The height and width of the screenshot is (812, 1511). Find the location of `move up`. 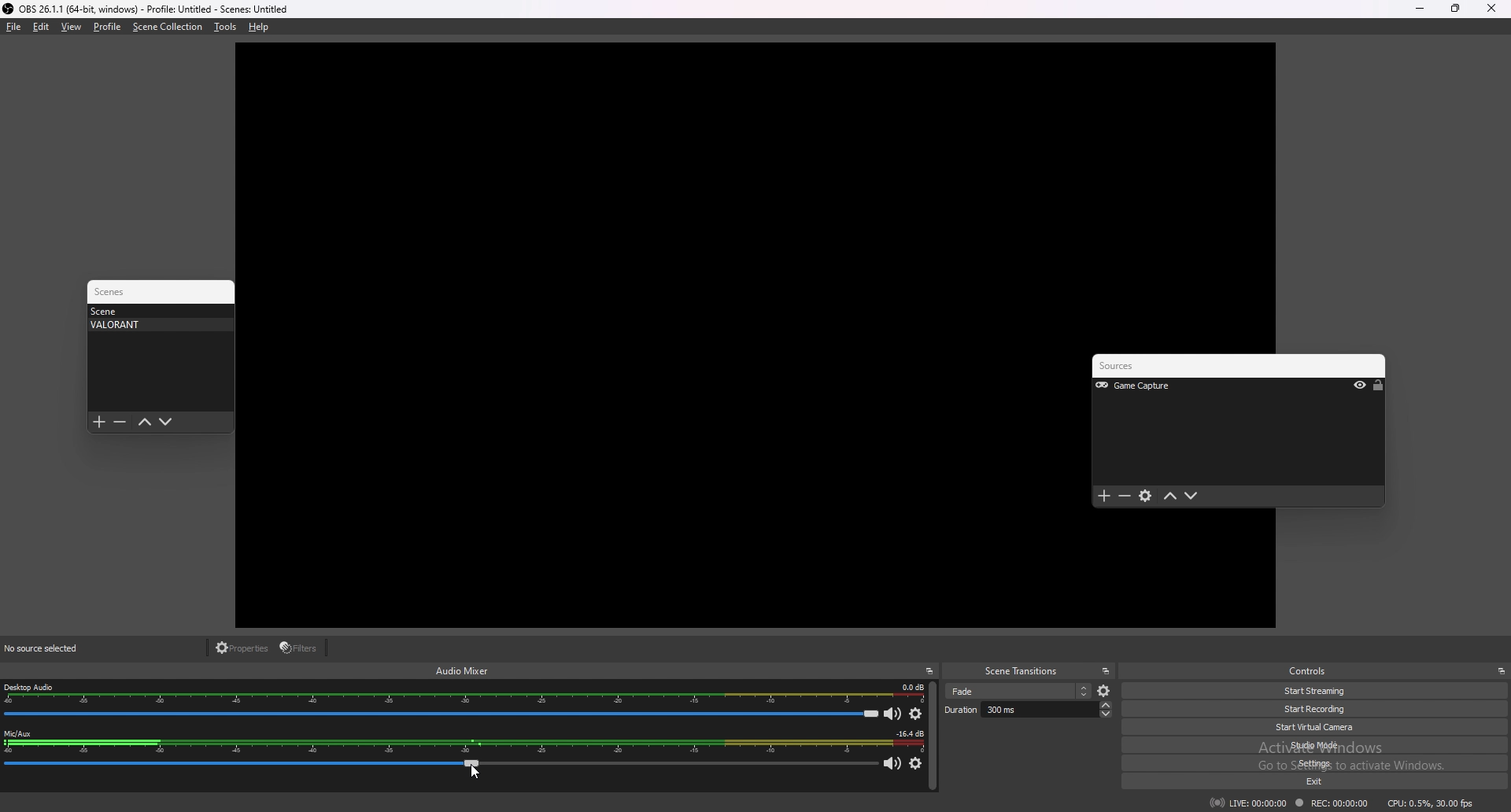

move up is located at coordinates (1171, 496).